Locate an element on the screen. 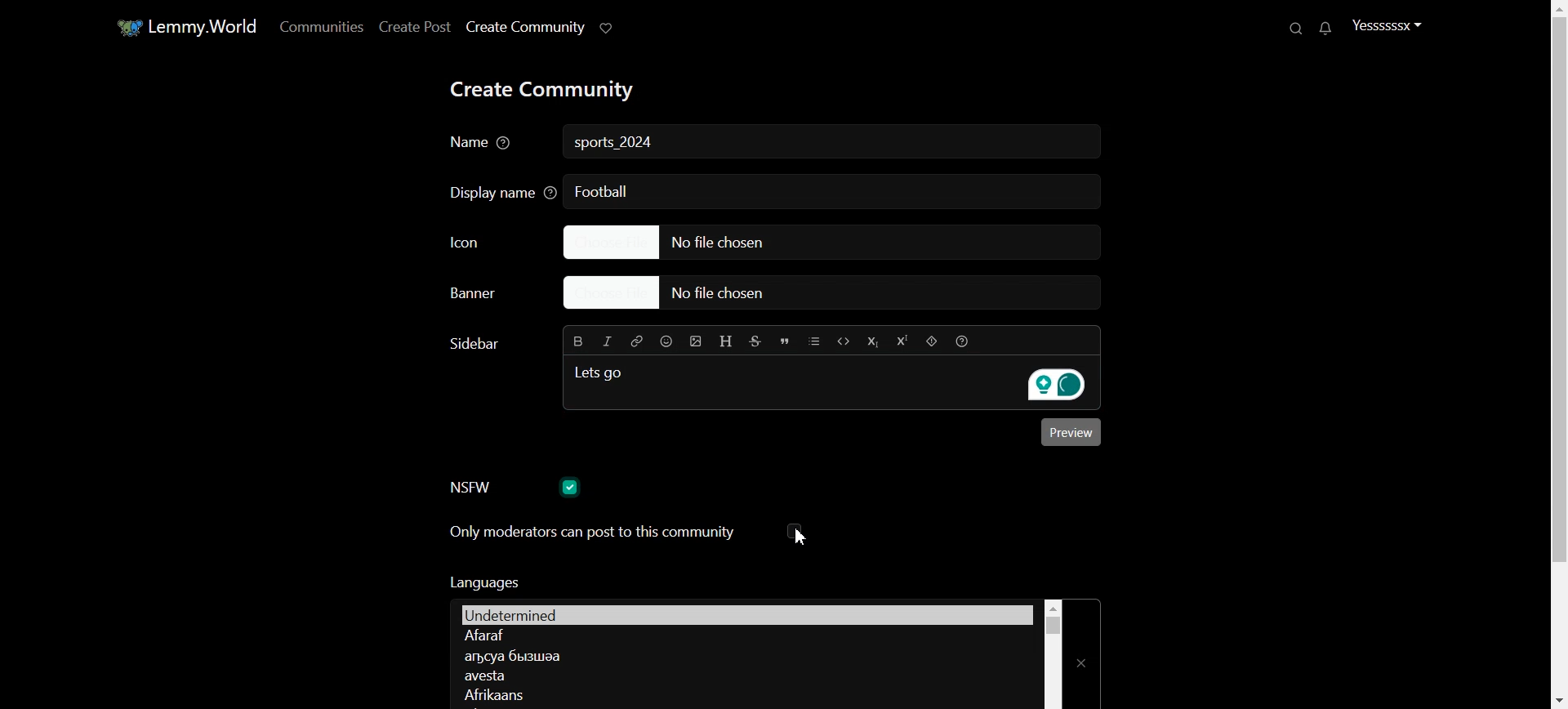 The image size is (1568, 709). Display name is located at coordinates (497, 191).